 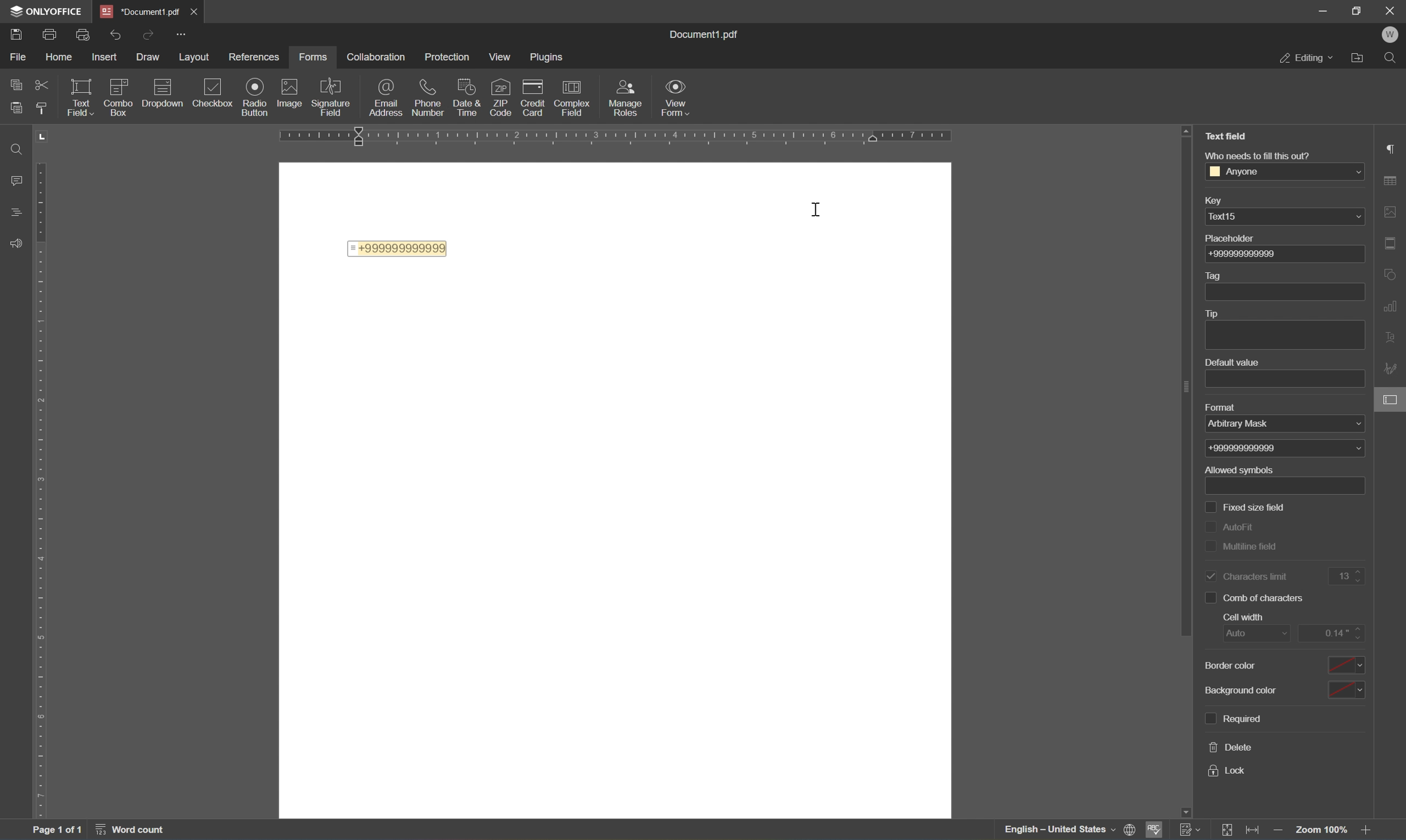 I want to click on drop down, so click(x=1353, y=172).